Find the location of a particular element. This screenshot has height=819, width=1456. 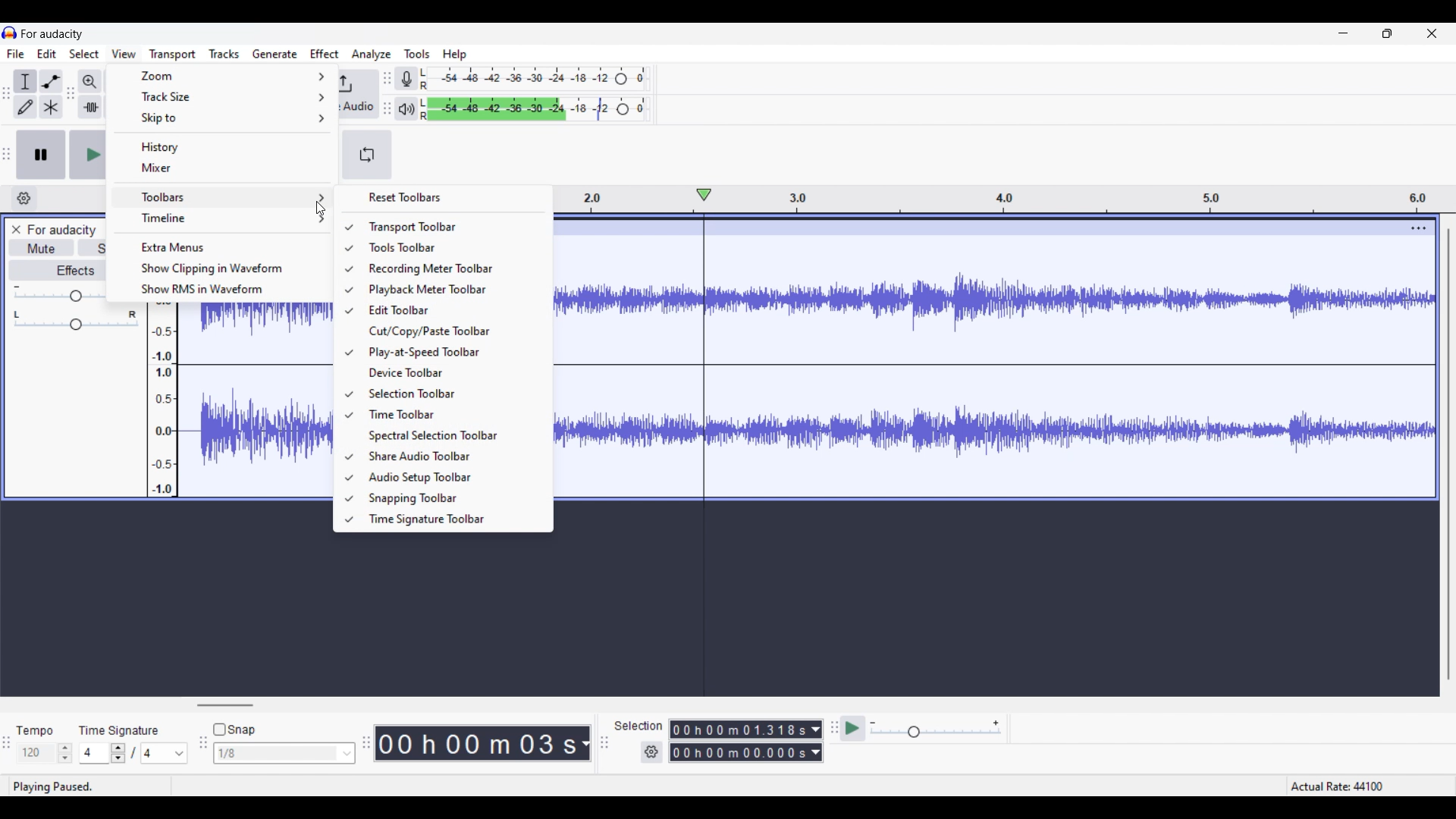

Software name is located at coordinates (53, 35).